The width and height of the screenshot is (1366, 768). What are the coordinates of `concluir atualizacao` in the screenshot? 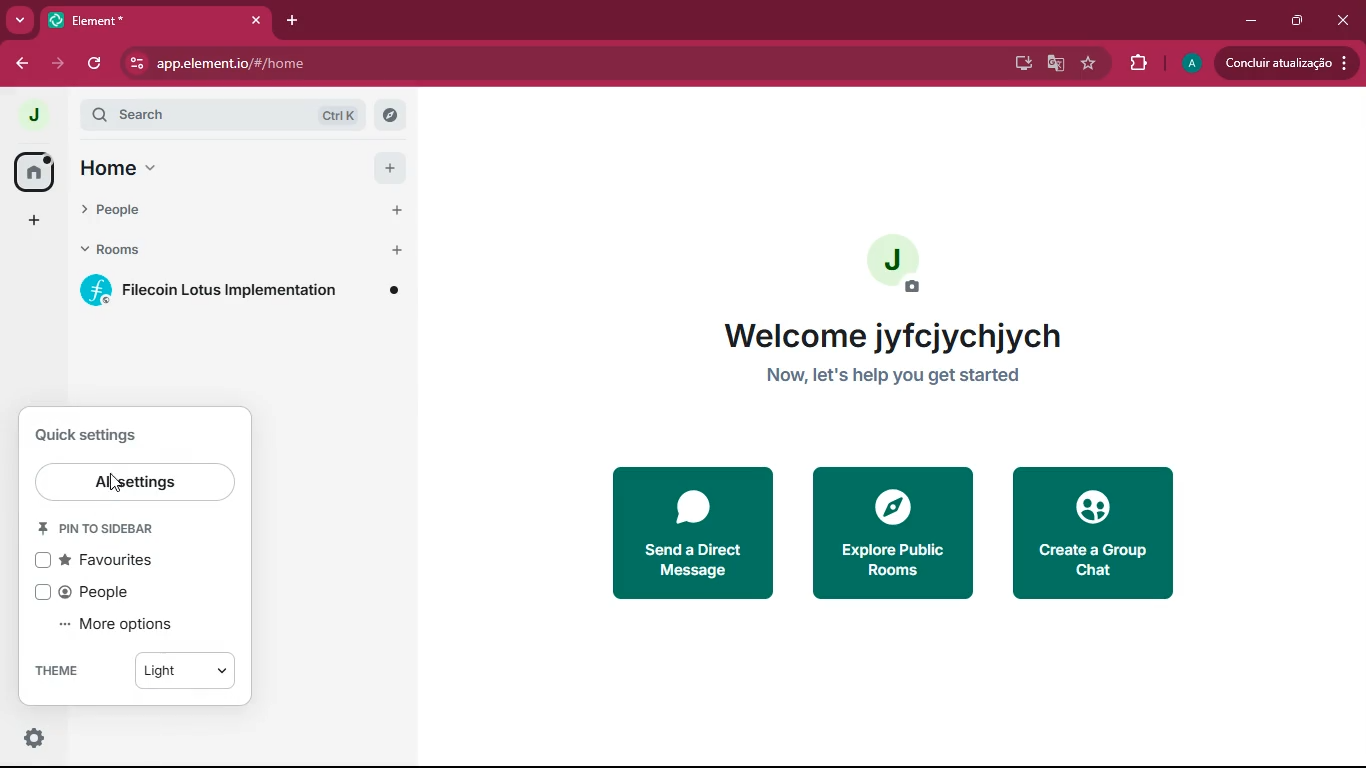 It's located at (1284, 62).